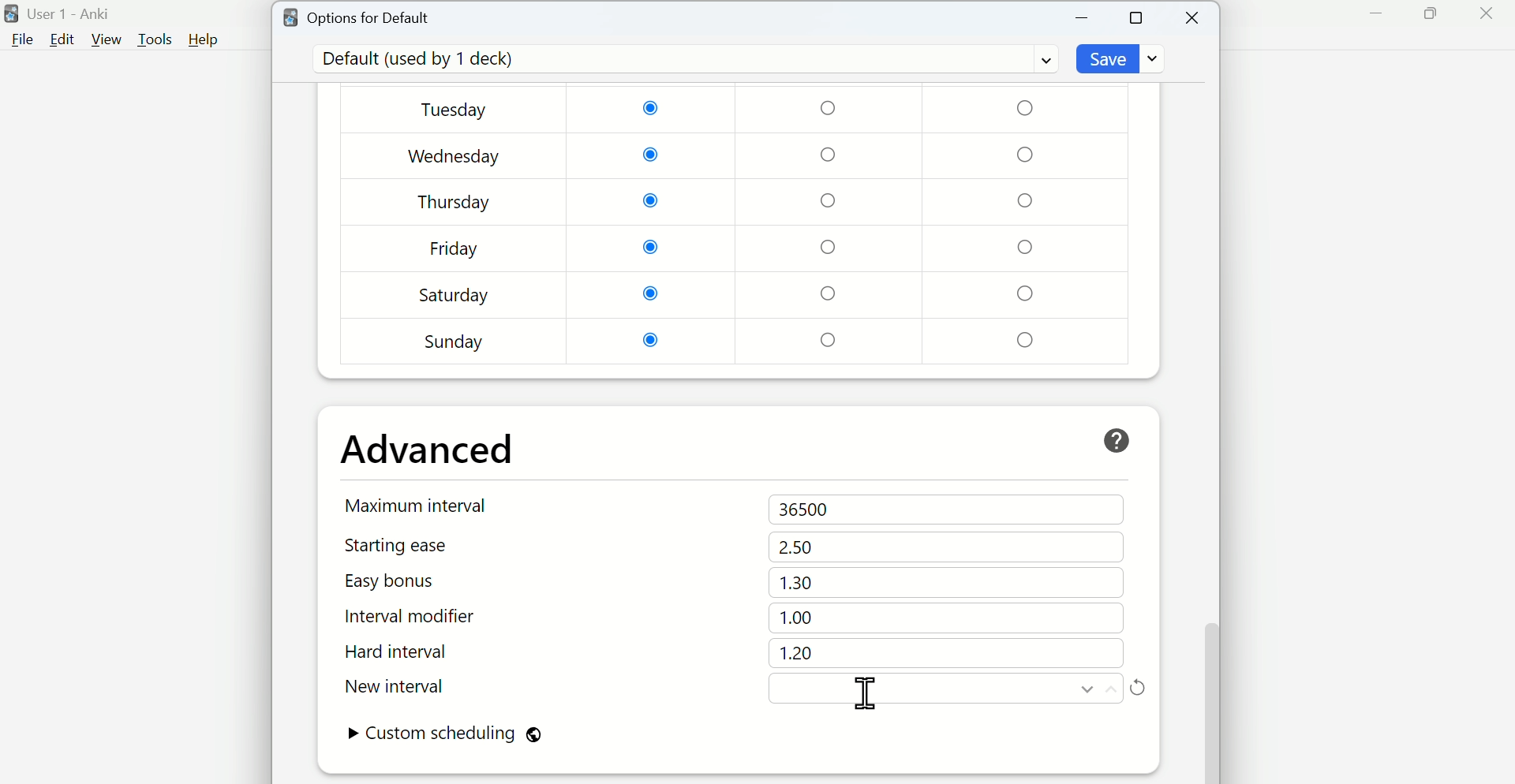 This screenshot has width=1515, height=784. I want to click on Saturday, so click(454, 295).